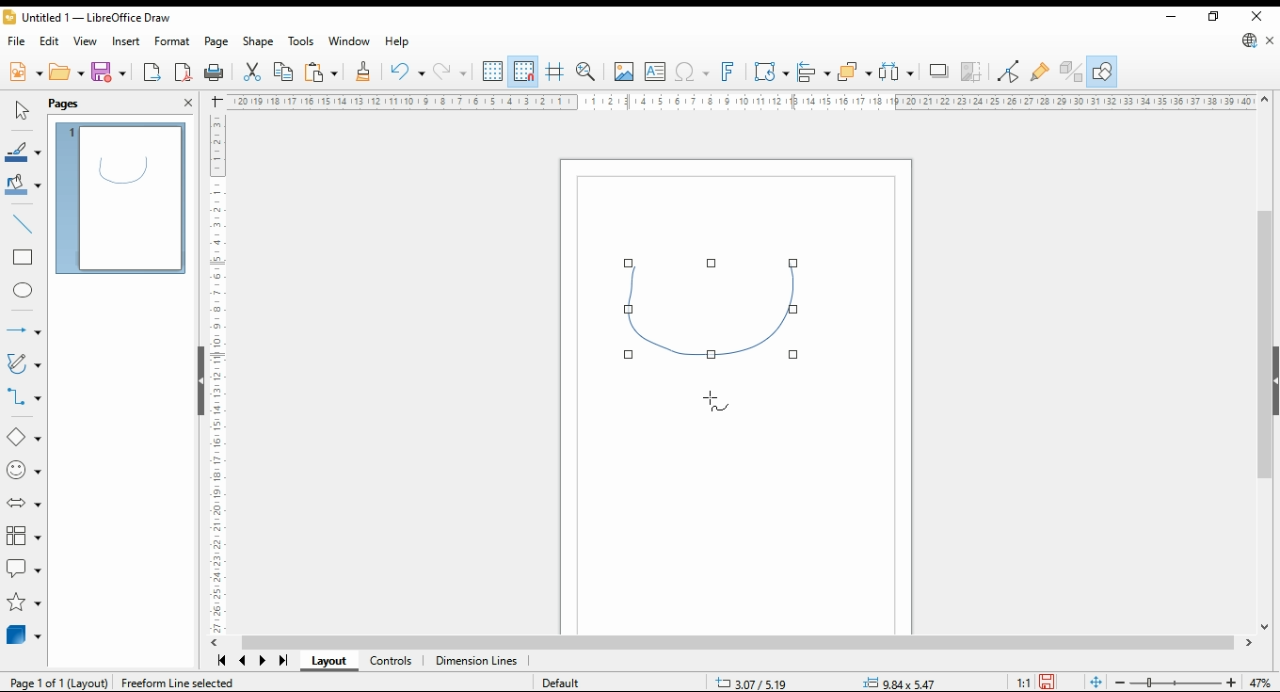 The height and width of the screenshot is (692, 1280). I want to click on first page, so click(221, 660).